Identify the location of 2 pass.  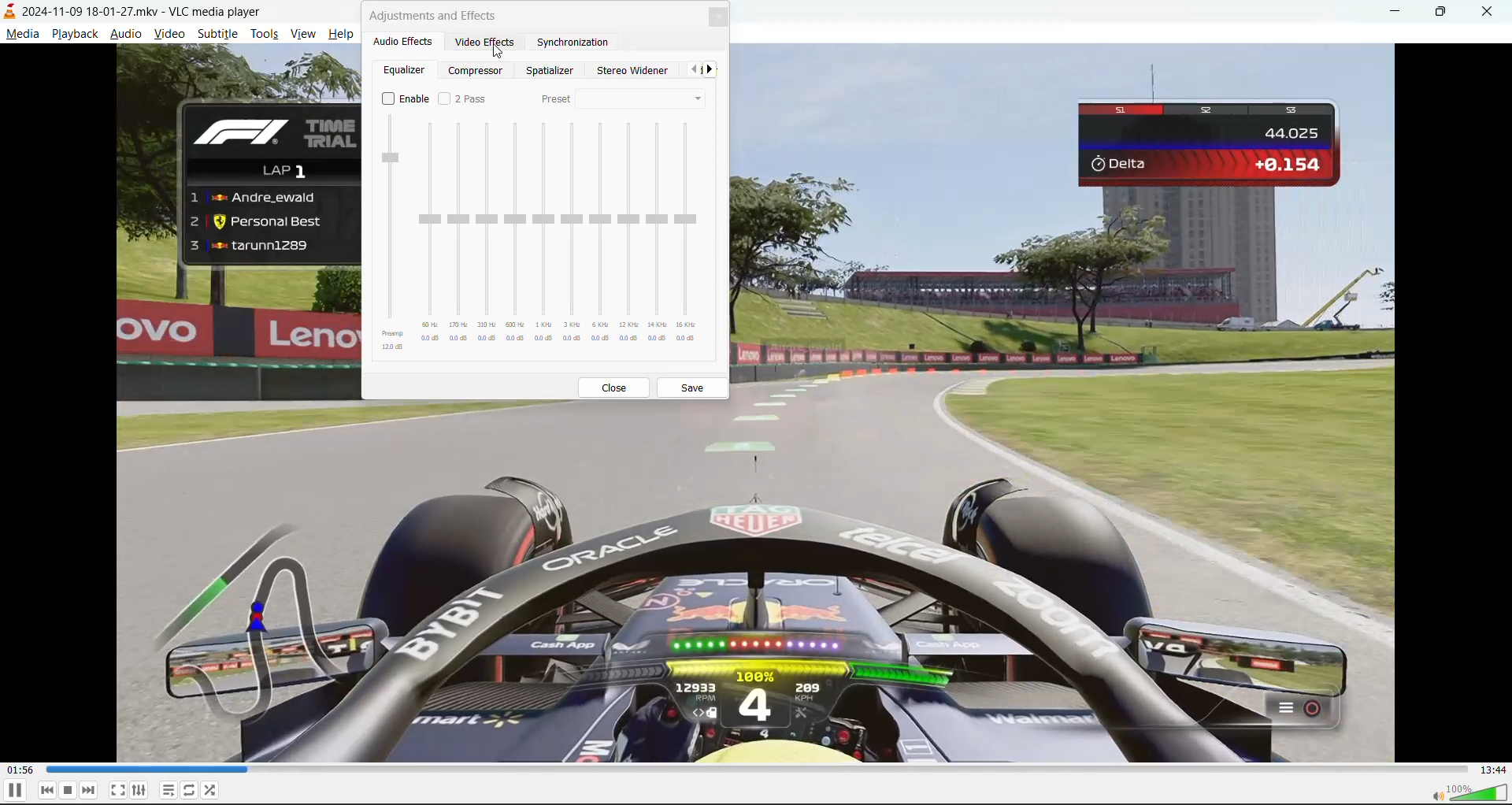
(466, 100).